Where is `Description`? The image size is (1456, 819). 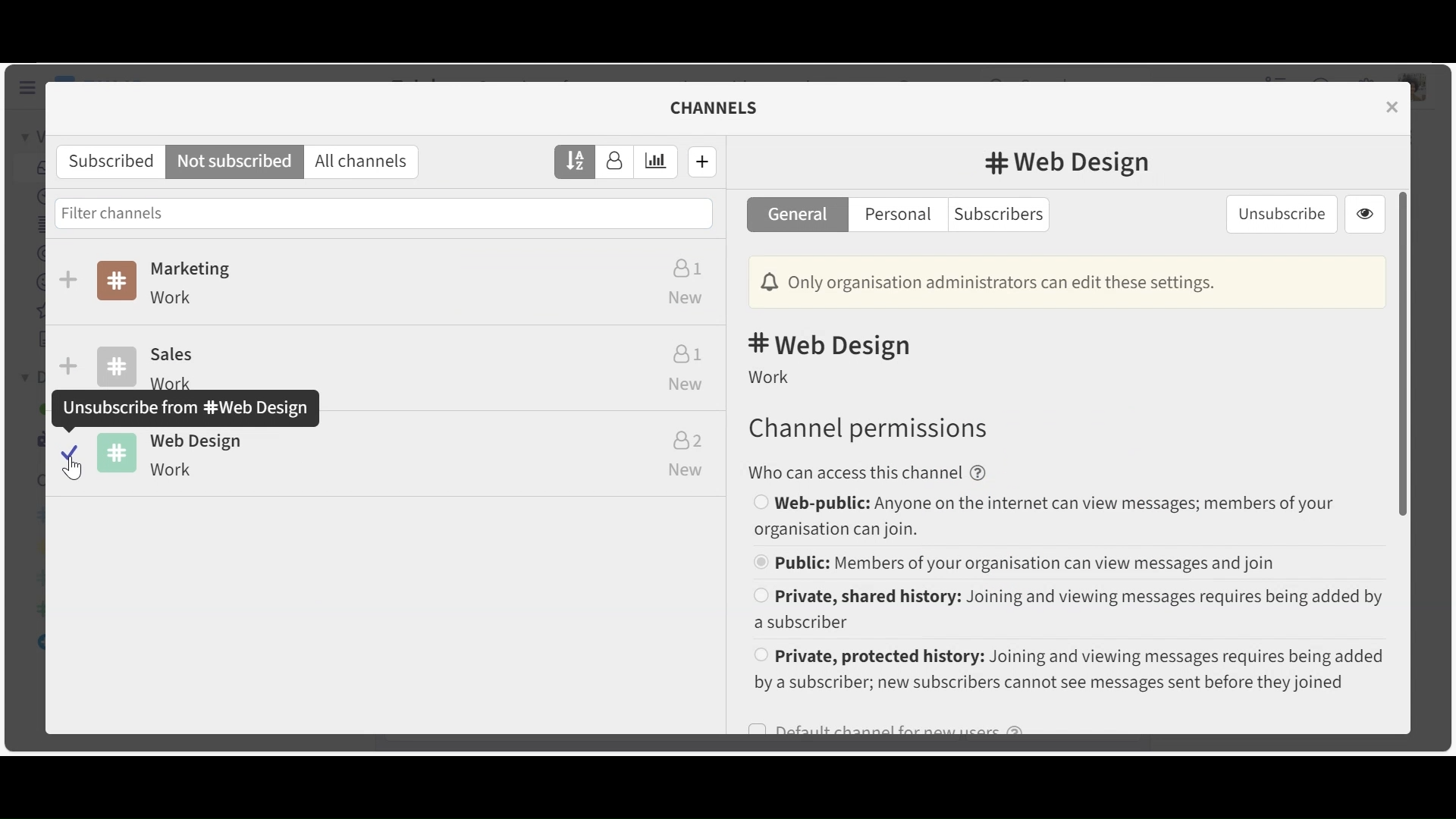 Description is located at coordinates (771, 375).